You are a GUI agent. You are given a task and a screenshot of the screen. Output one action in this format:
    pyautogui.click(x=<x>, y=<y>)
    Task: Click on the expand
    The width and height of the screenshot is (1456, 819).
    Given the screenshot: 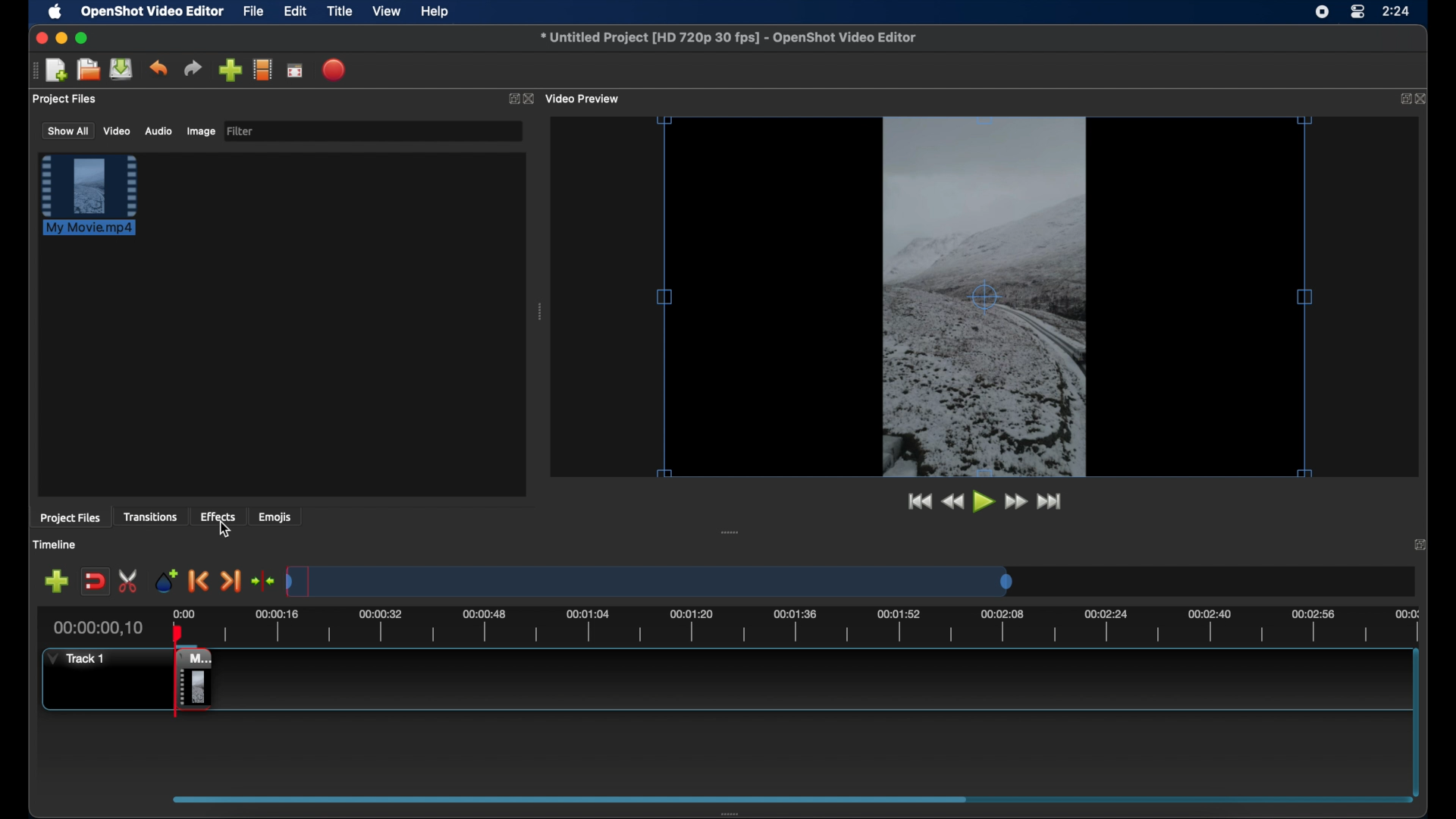 What is the action you would take?
    pyautogui.click(x=510, y=98)
    